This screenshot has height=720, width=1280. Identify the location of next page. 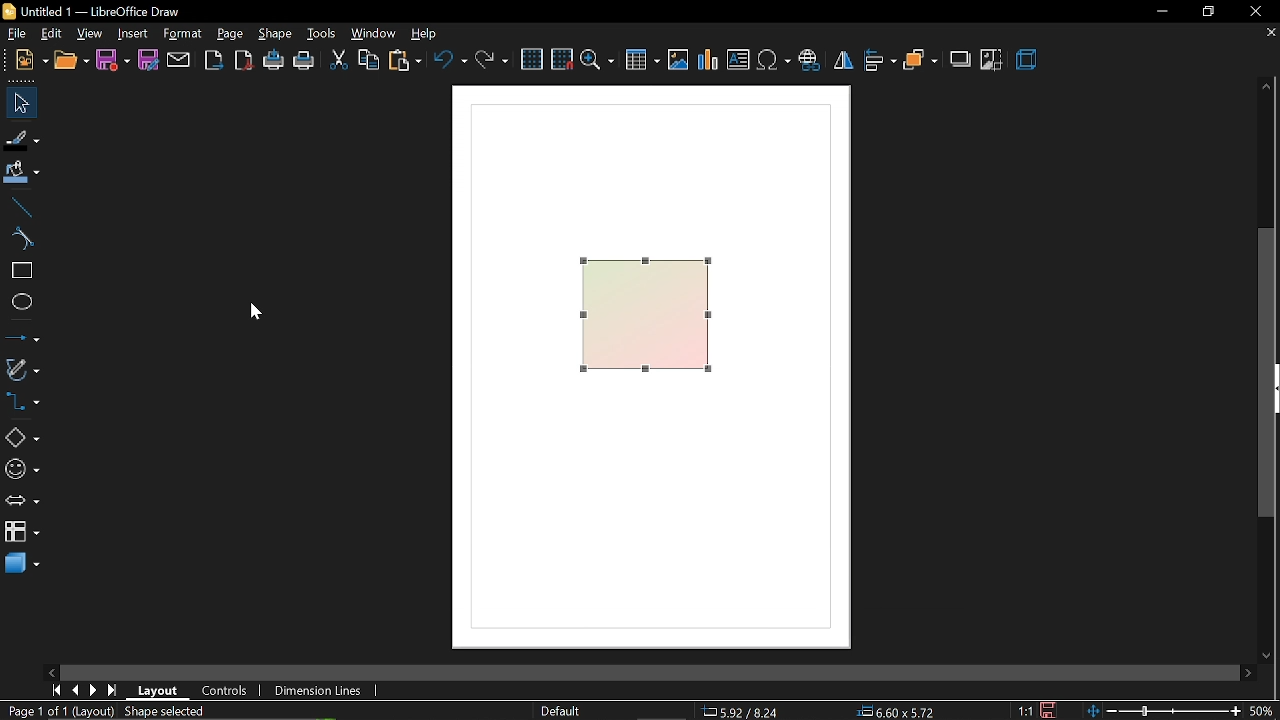
(94, 689).